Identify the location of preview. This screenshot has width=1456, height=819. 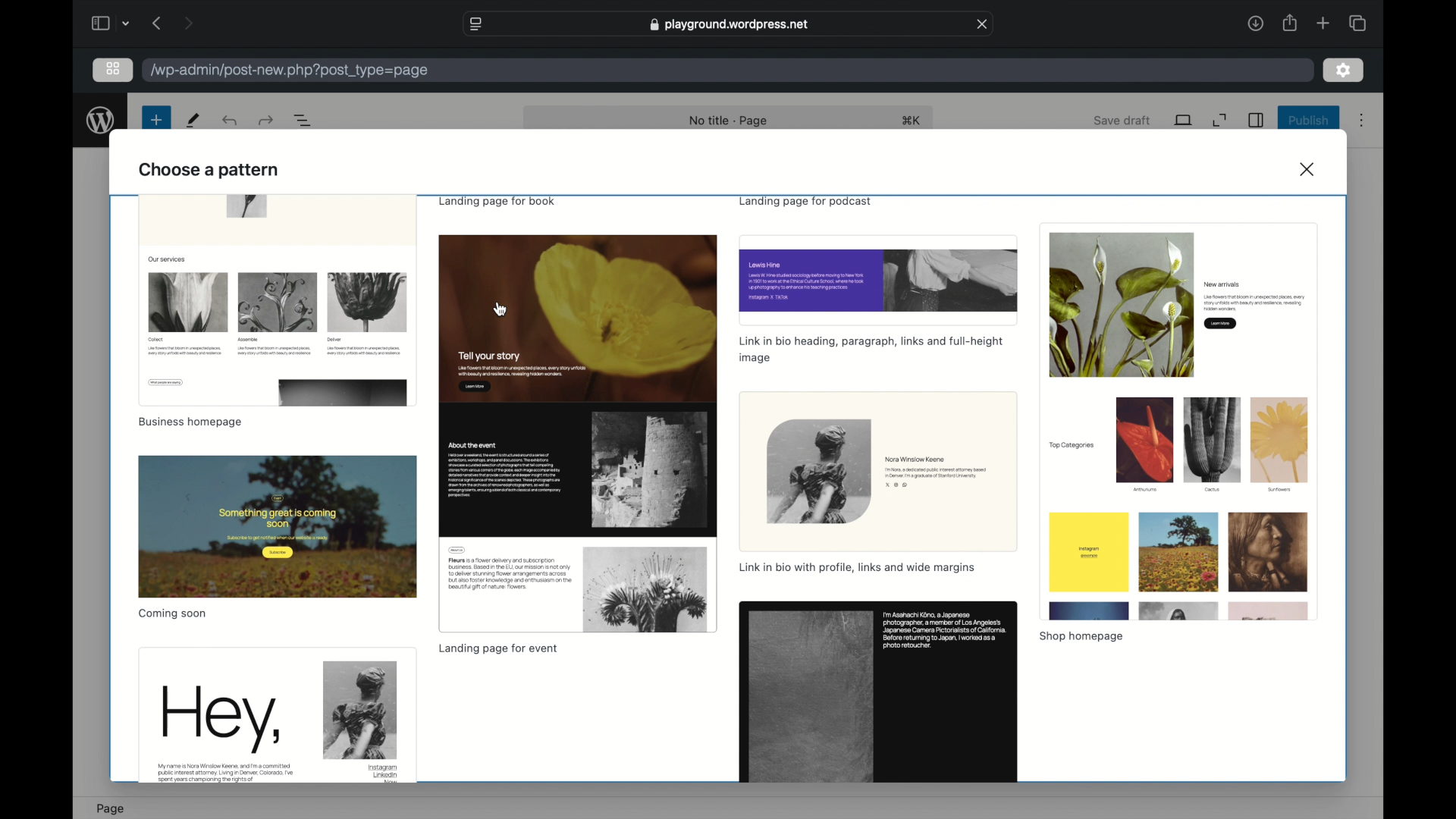
(879, 693).